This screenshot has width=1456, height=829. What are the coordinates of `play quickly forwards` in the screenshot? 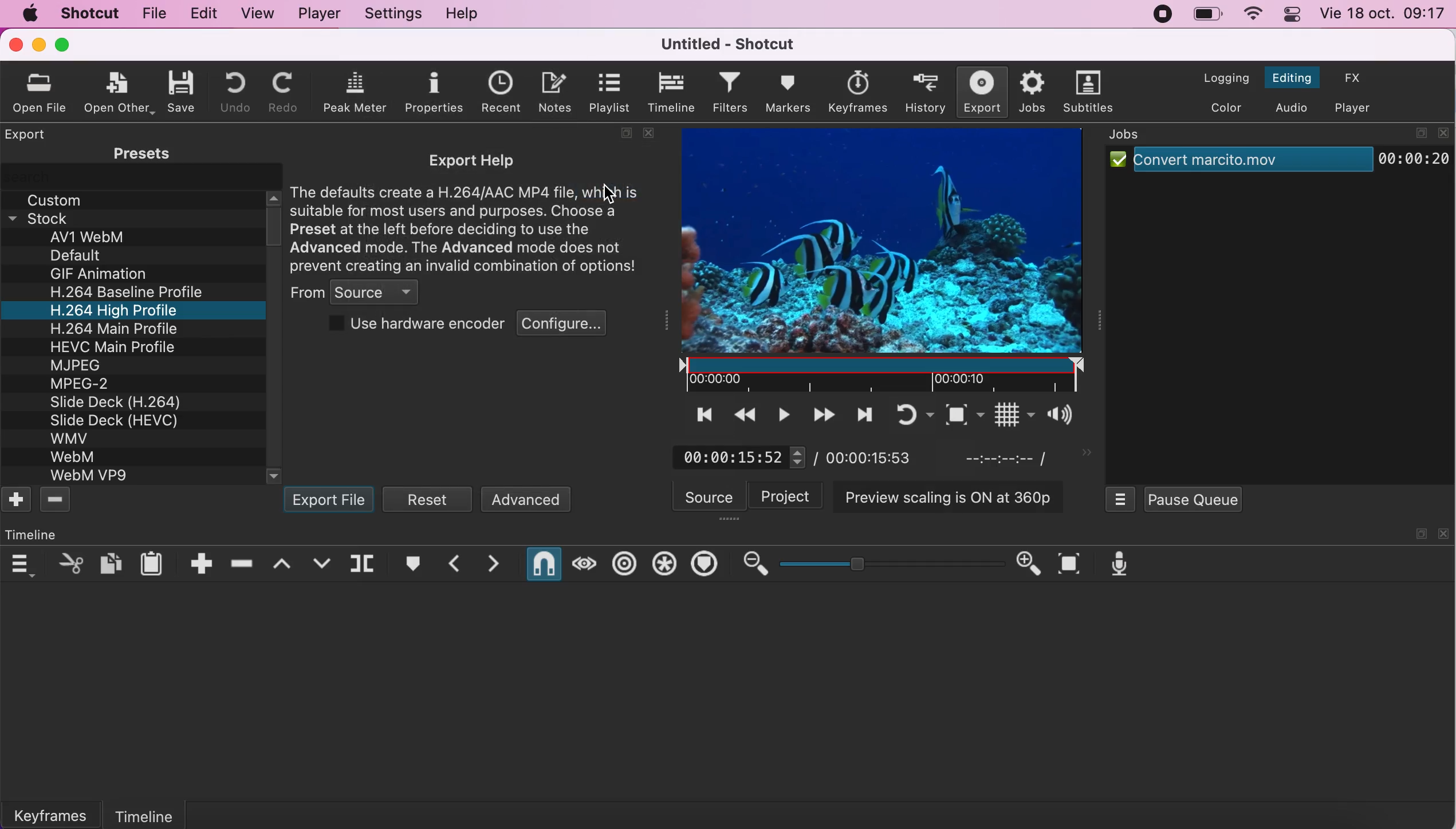 It's located at (824, 414).